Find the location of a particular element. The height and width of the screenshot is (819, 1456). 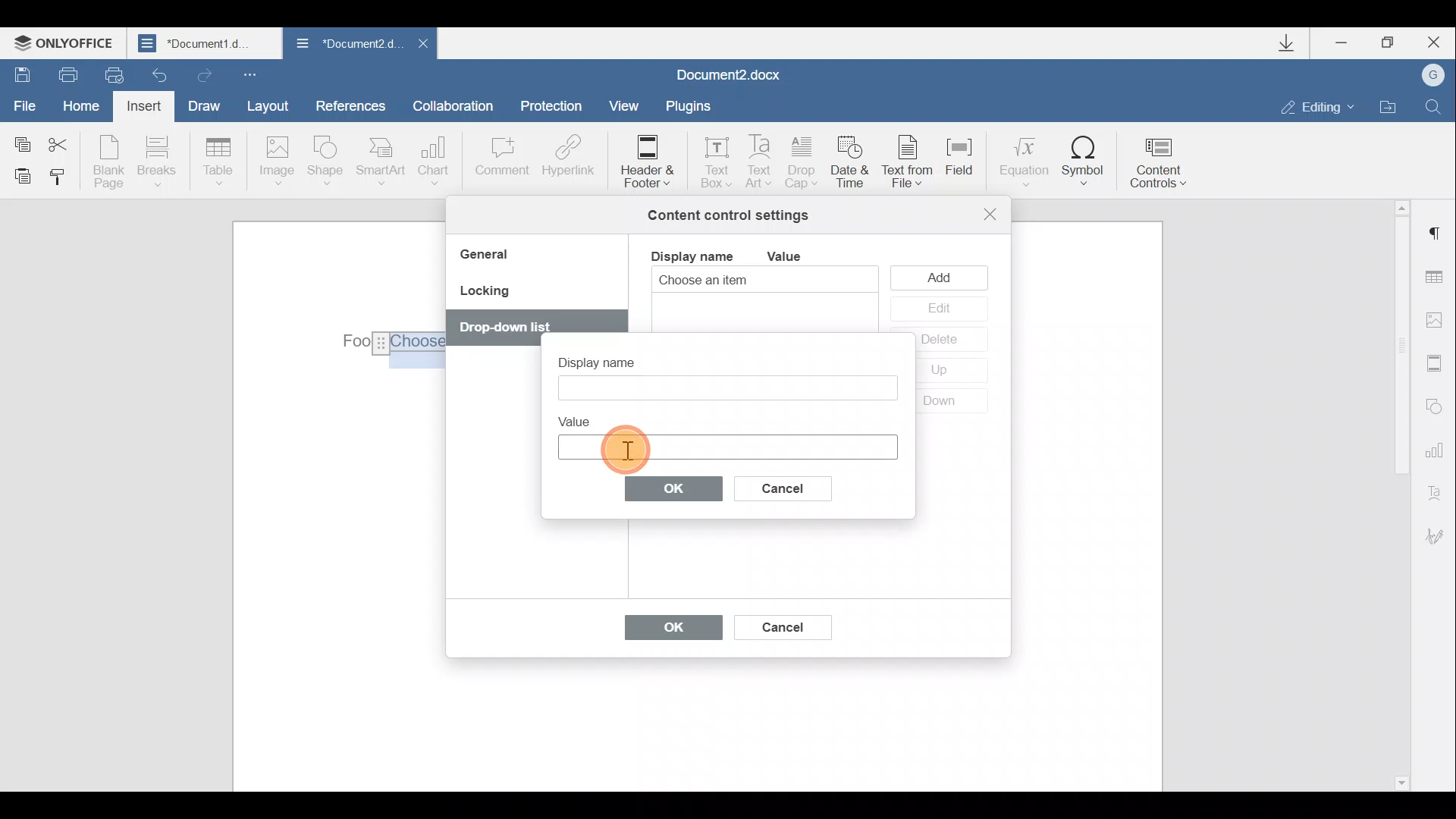

Editing mode is located at coordinates (1318, 106).